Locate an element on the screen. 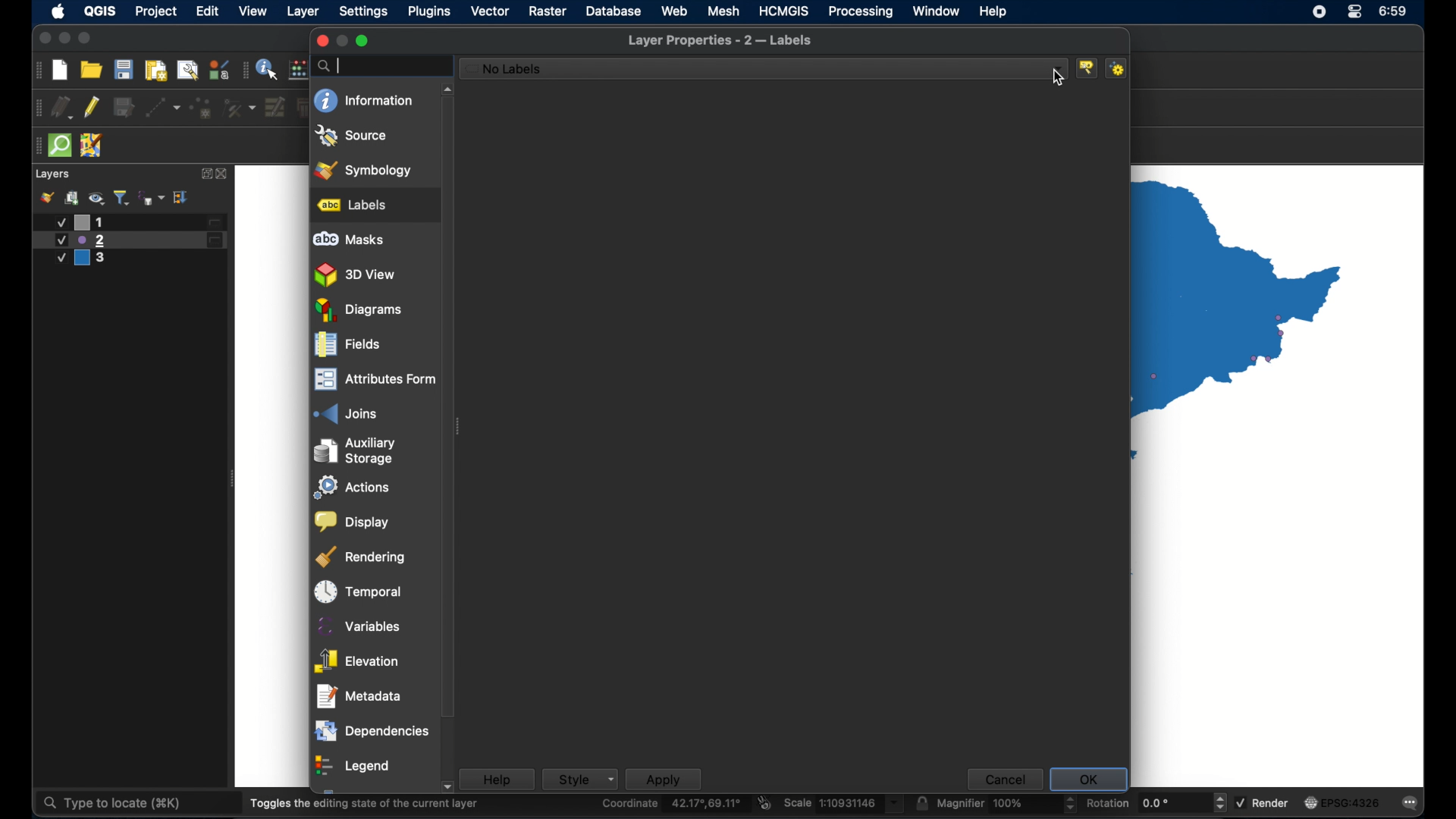  minimize is located at coordinates (64, 39).